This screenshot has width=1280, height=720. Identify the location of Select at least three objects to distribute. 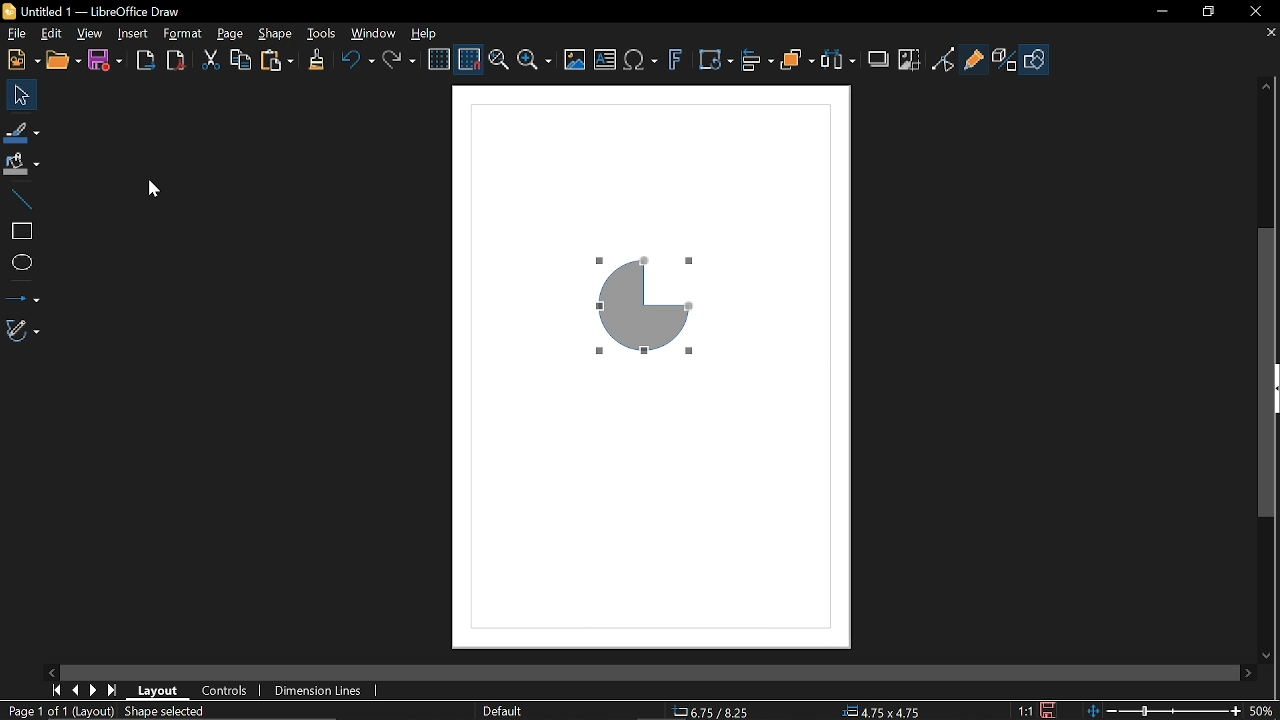
(840, 61).